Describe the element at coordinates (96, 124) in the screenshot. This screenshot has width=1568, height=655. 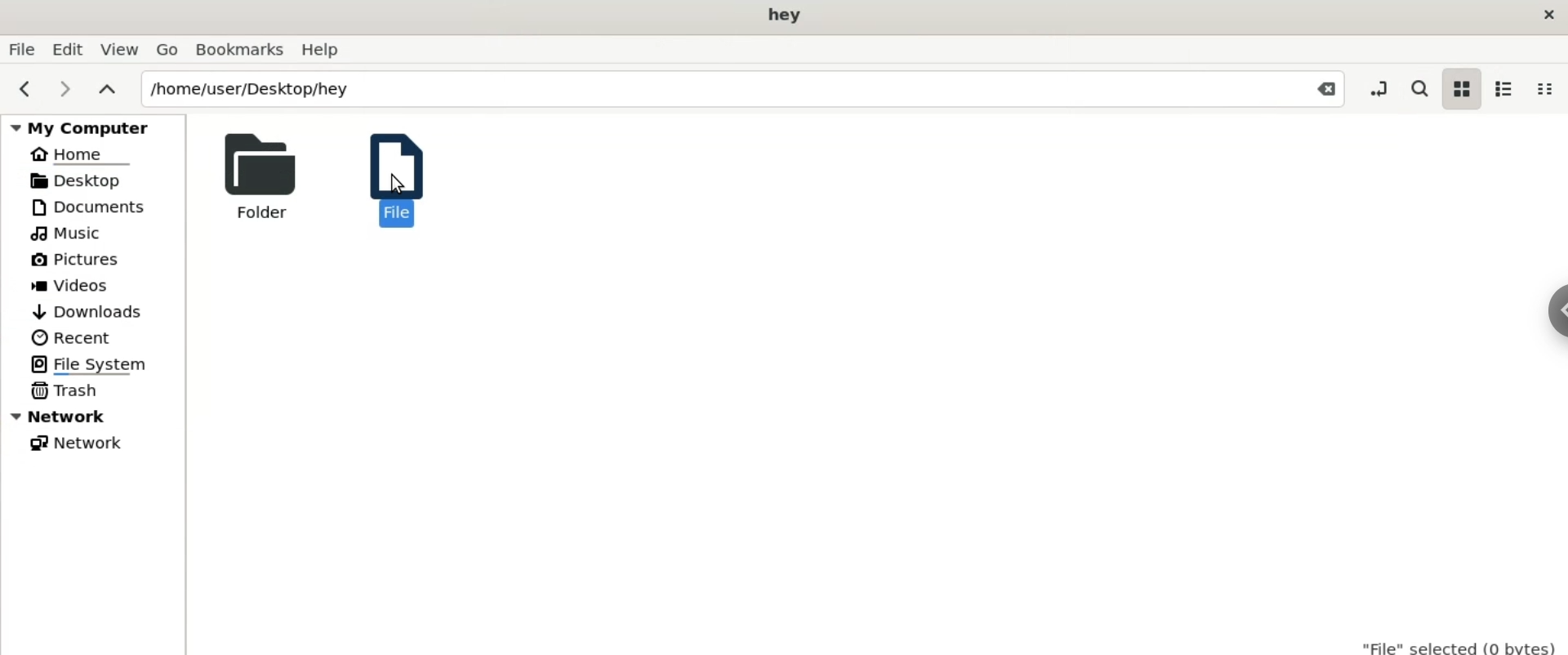
I see `my computer` at that location.